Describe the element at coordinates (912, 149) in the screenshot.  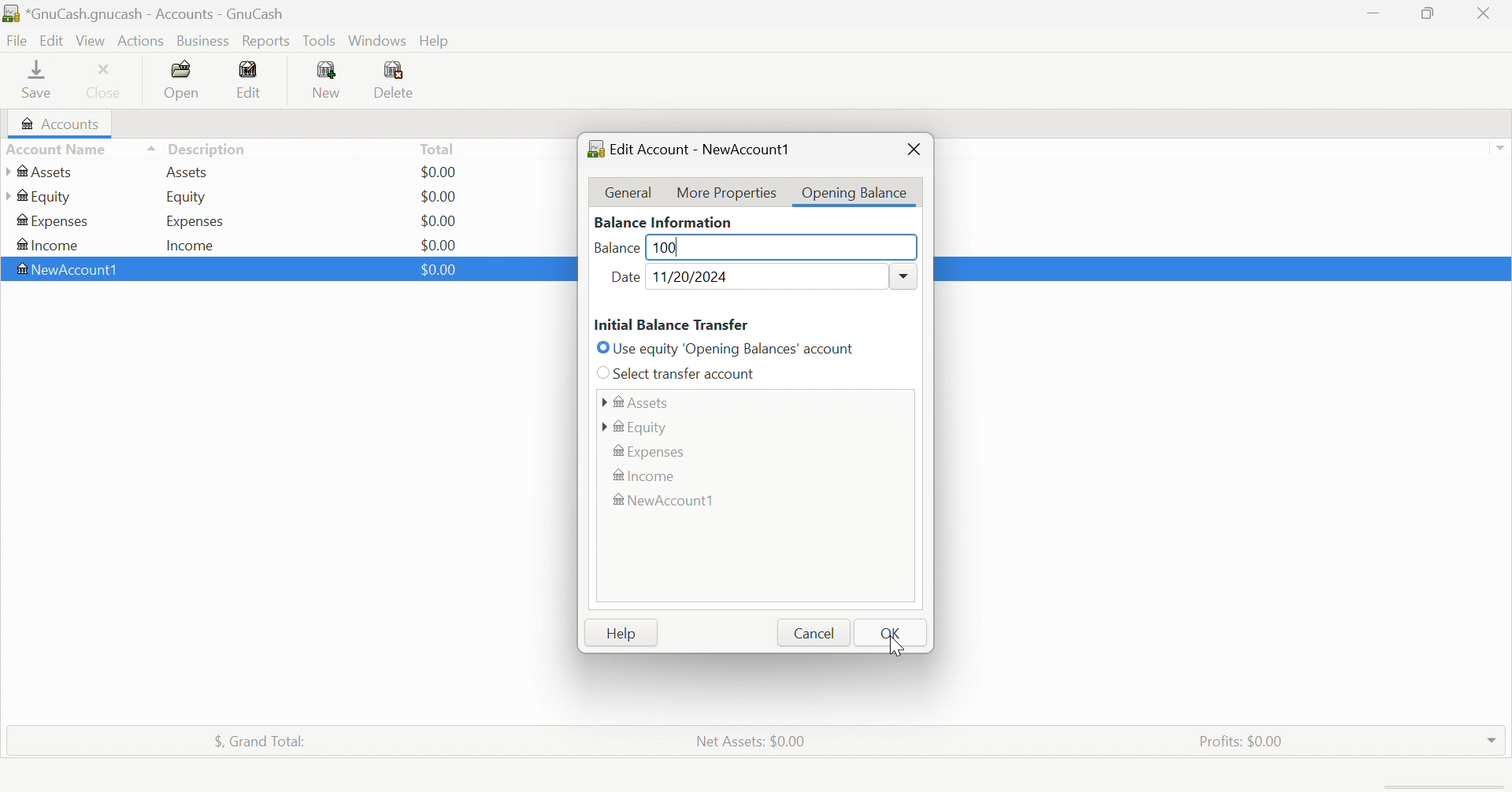
I see `close` at that location.